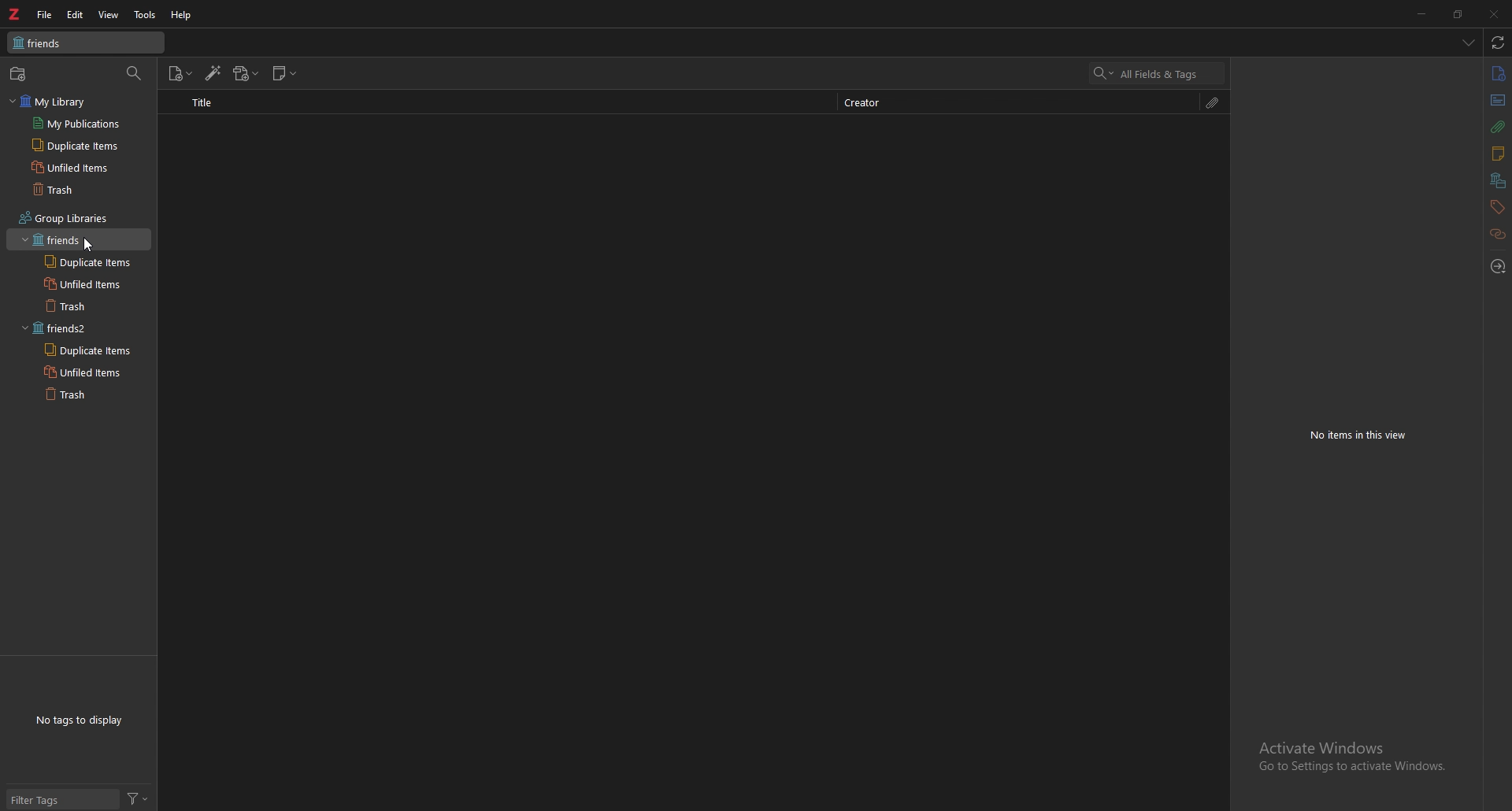 The image size is (1512, 811). Describe the element at coordinates (90, 372) in the screenshot. I see `unfiled items` at that location.